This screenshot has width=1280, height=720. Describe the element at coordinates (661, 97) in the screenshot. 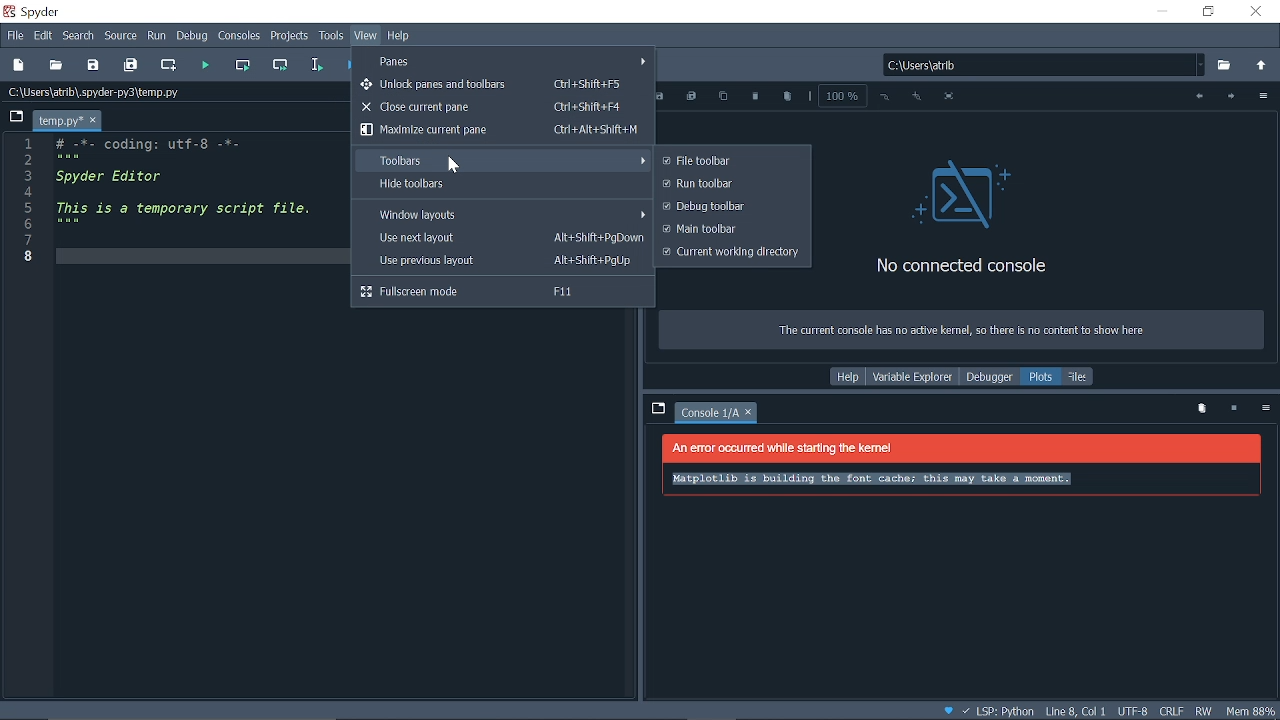

I see `Save plot as` at that location.